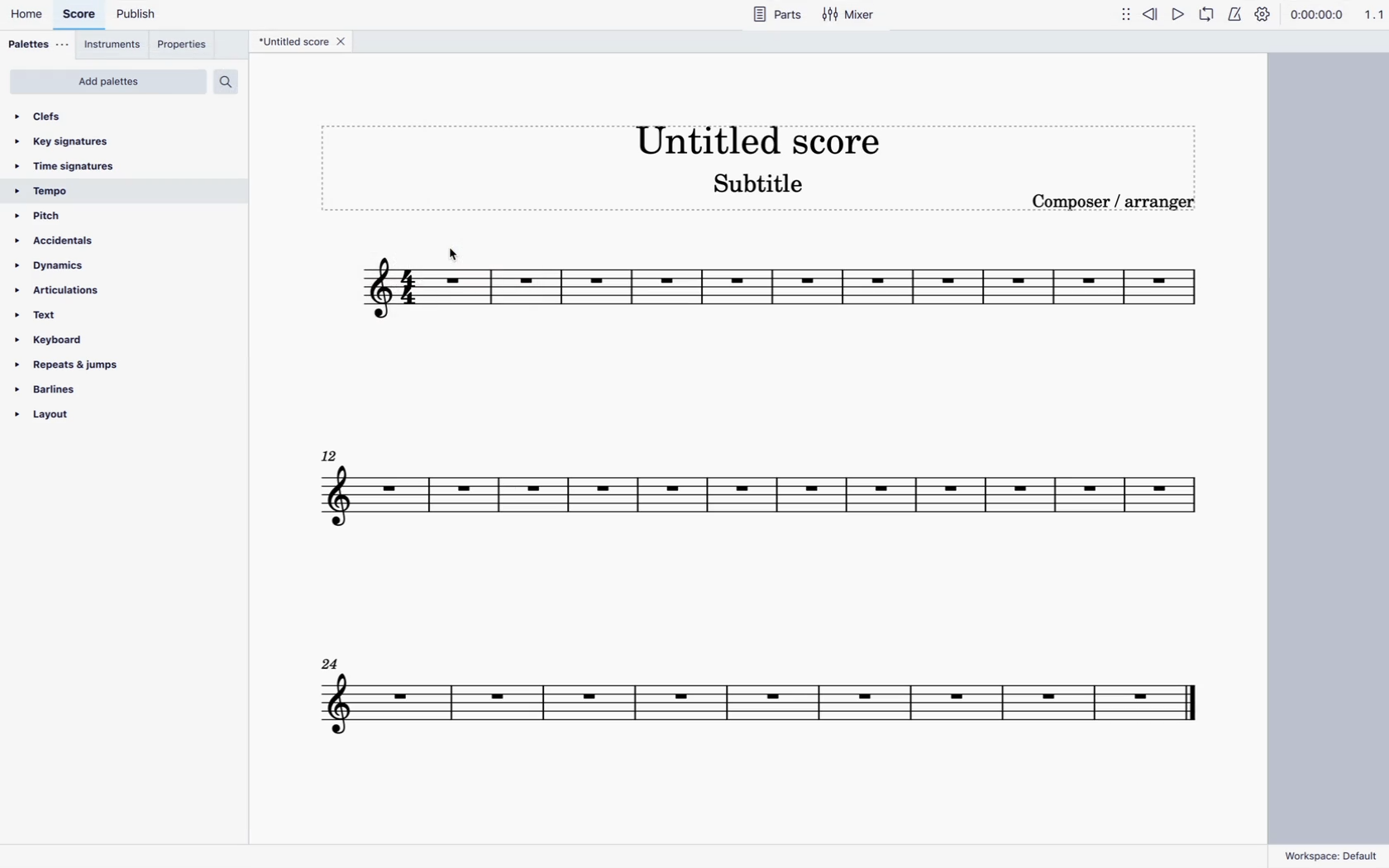  What do you see at coordinates (1262, 14) in the screenshot?
I see `playback settings` at bounding box center [1262, 14].